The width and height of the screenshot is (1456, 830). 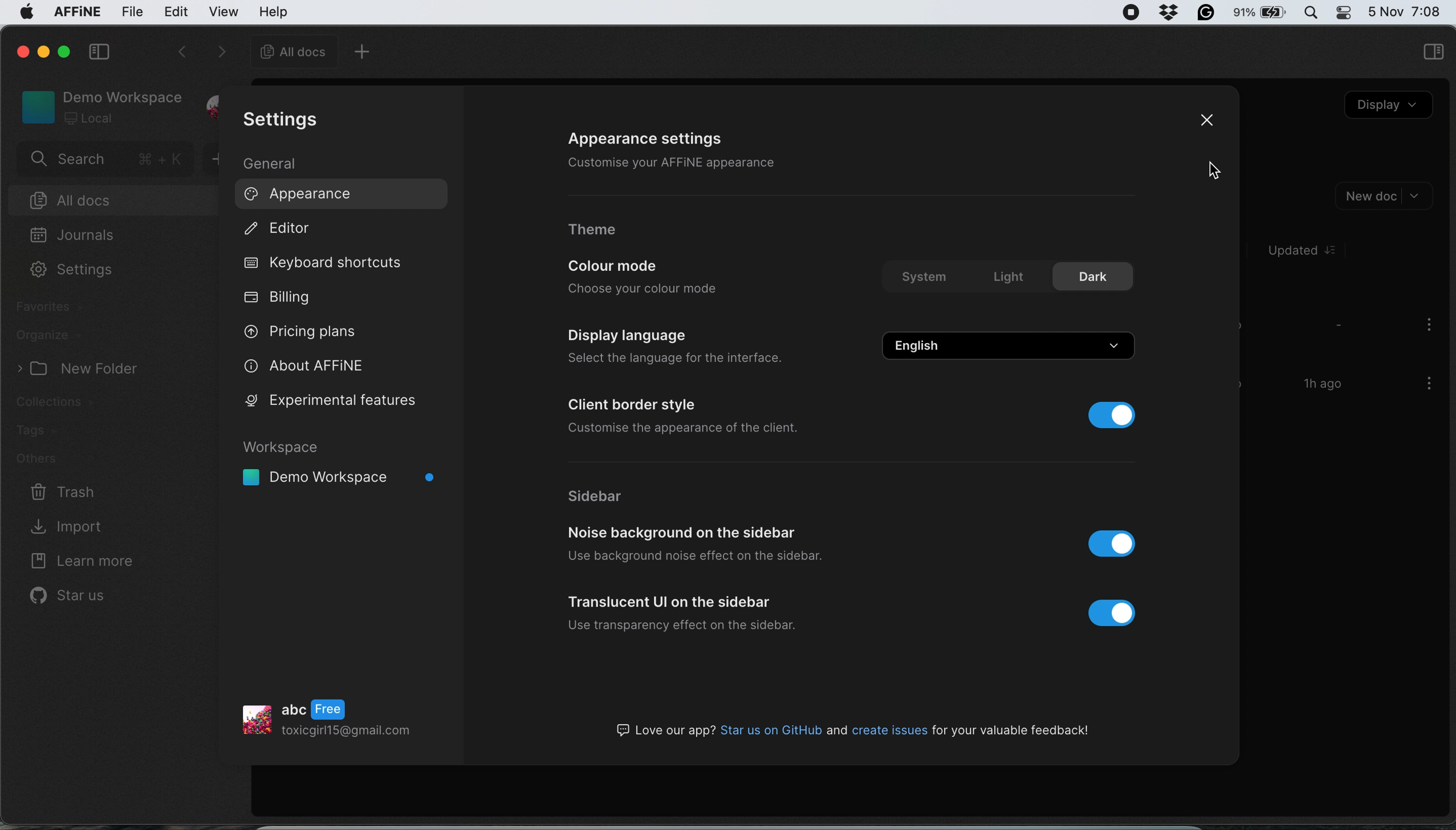 I want to click on use background noise effect on the sidebar, so click(x=703, y=557).